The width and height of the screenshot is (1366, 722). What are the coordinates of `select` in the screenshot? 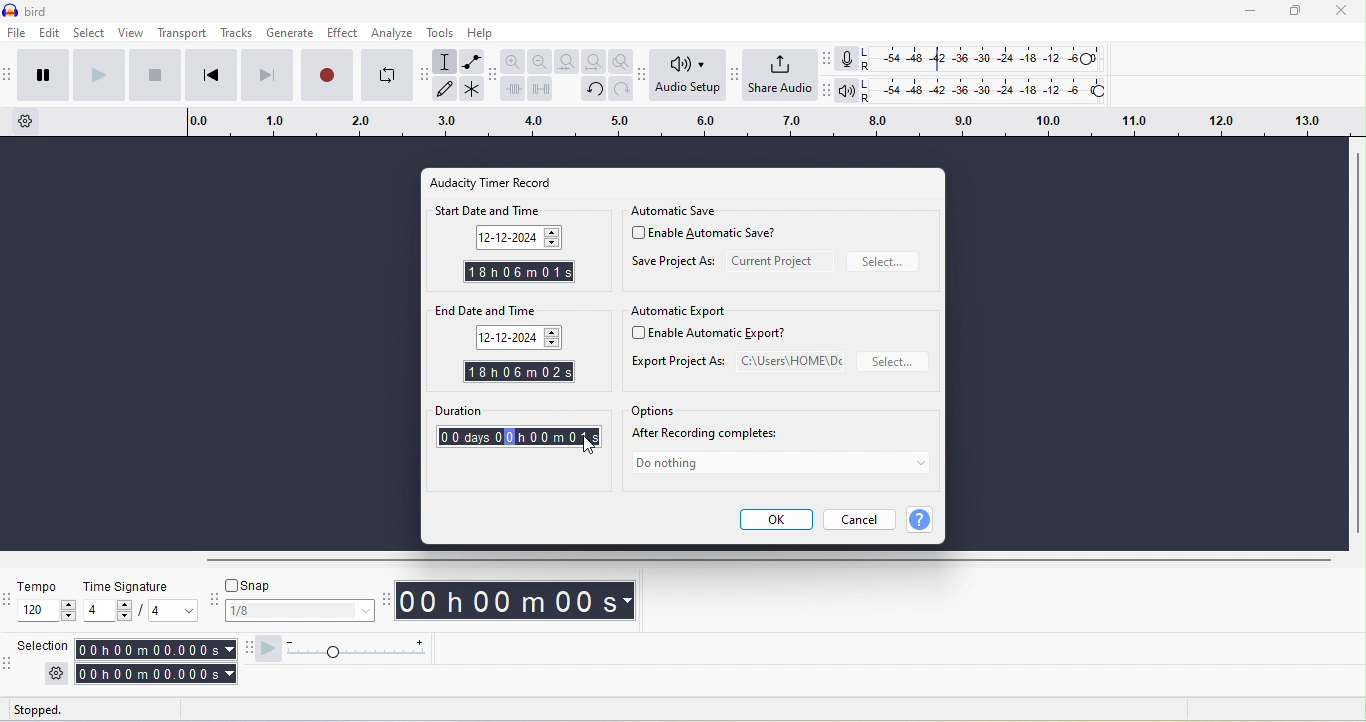 It's located at (894, 363).